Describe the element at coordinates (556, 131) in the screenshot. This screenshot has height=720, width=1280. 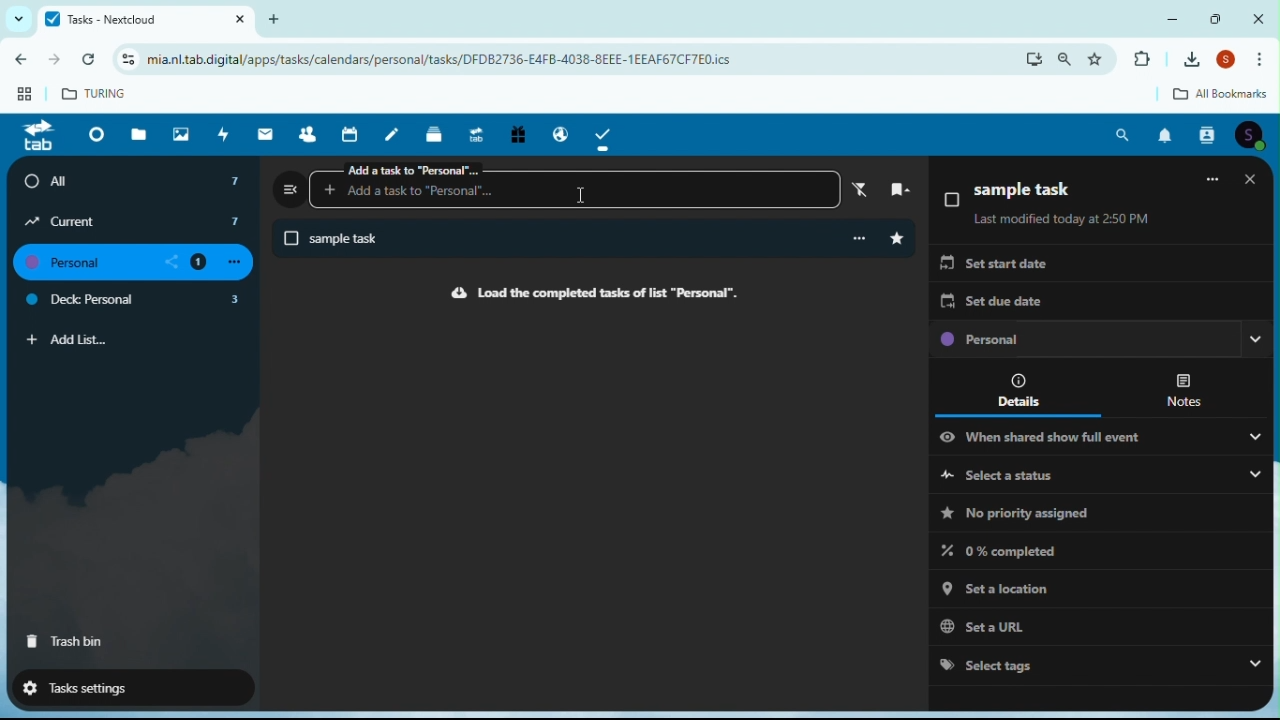
I see `Email hosting` at that location.